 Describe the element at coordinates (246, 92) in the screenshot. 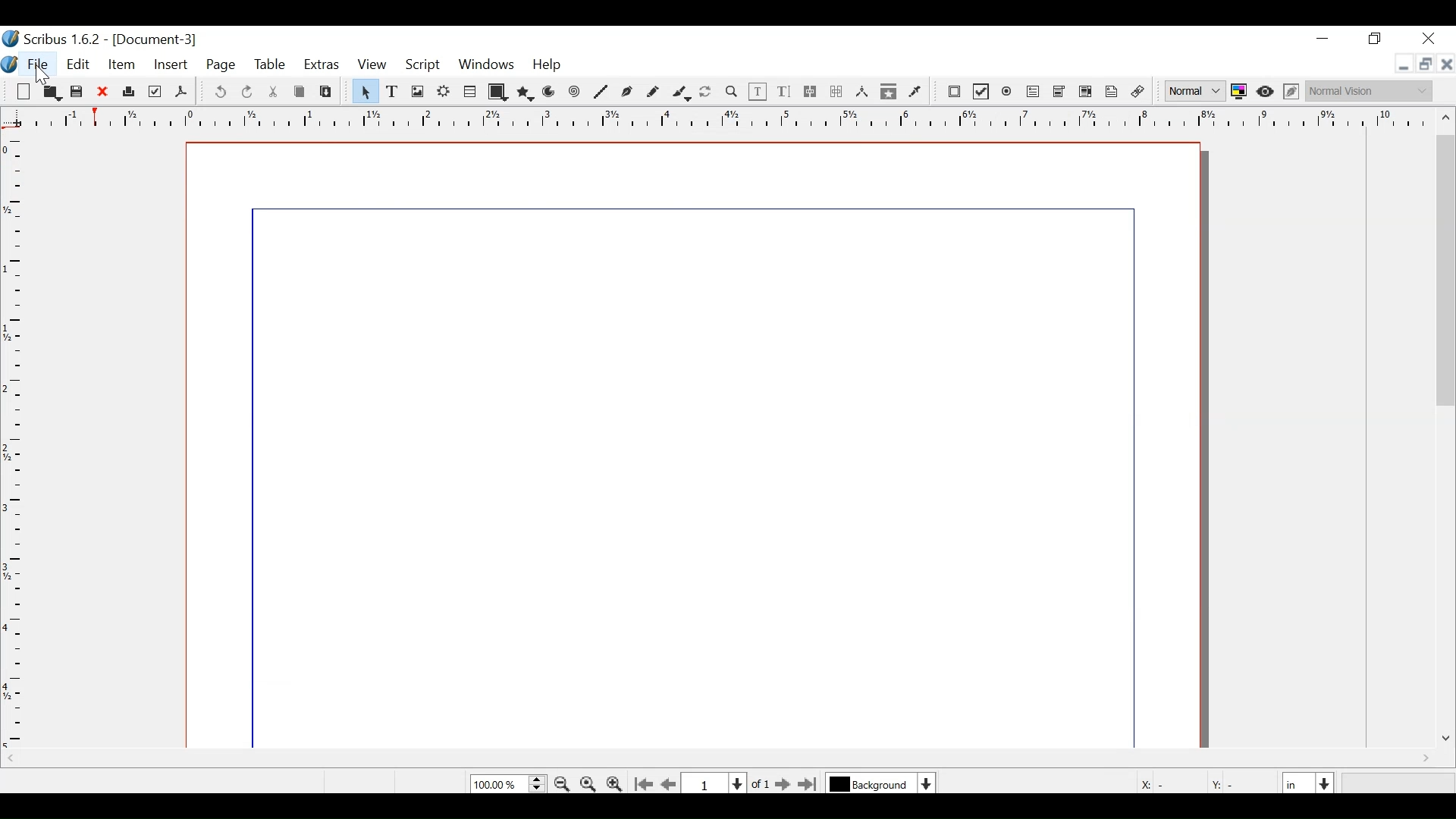

I see `Redo` at that location.